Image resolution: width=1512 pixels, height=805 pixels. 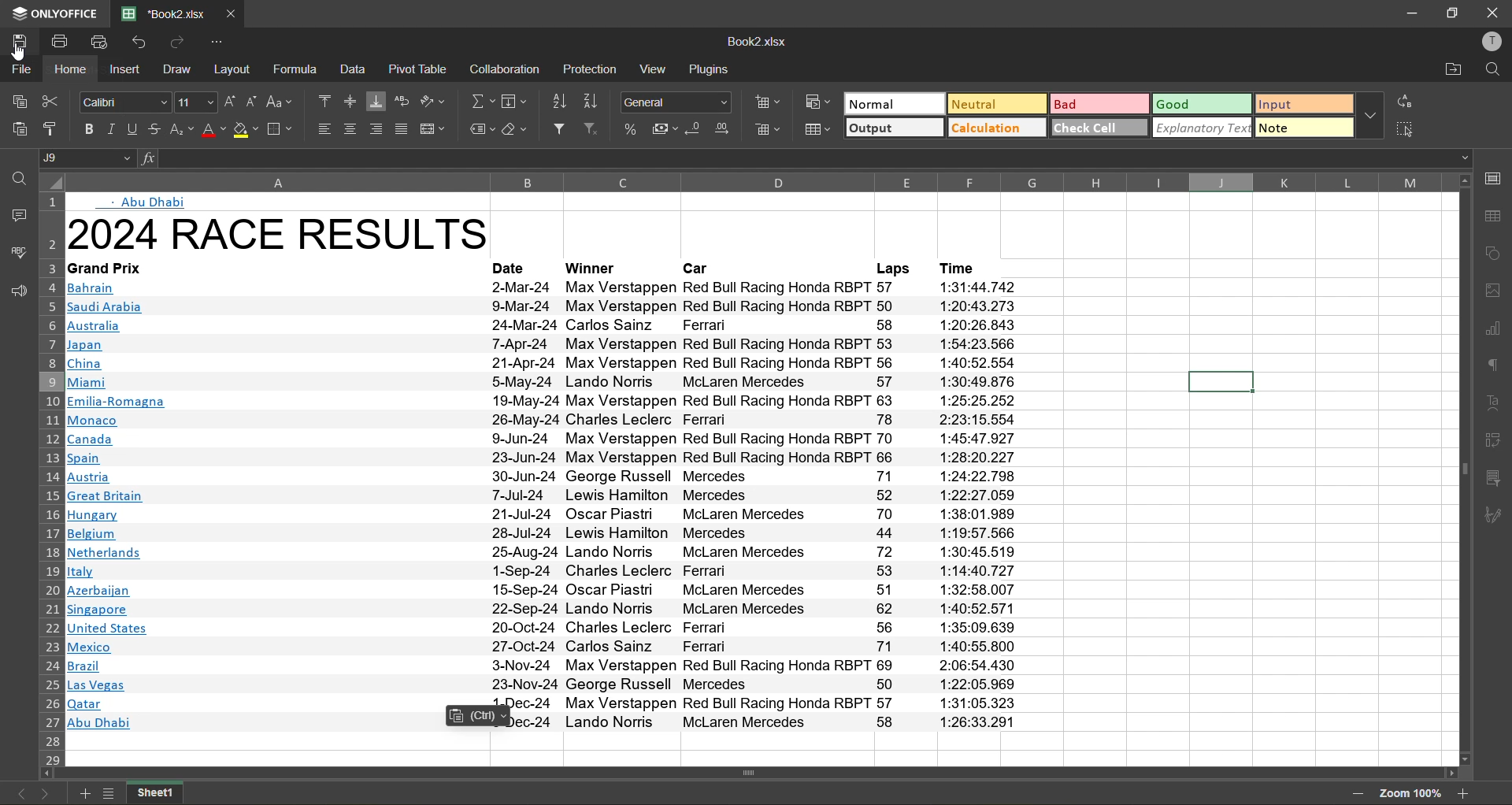 I want to click on neutral, so click(x=999, y=104).